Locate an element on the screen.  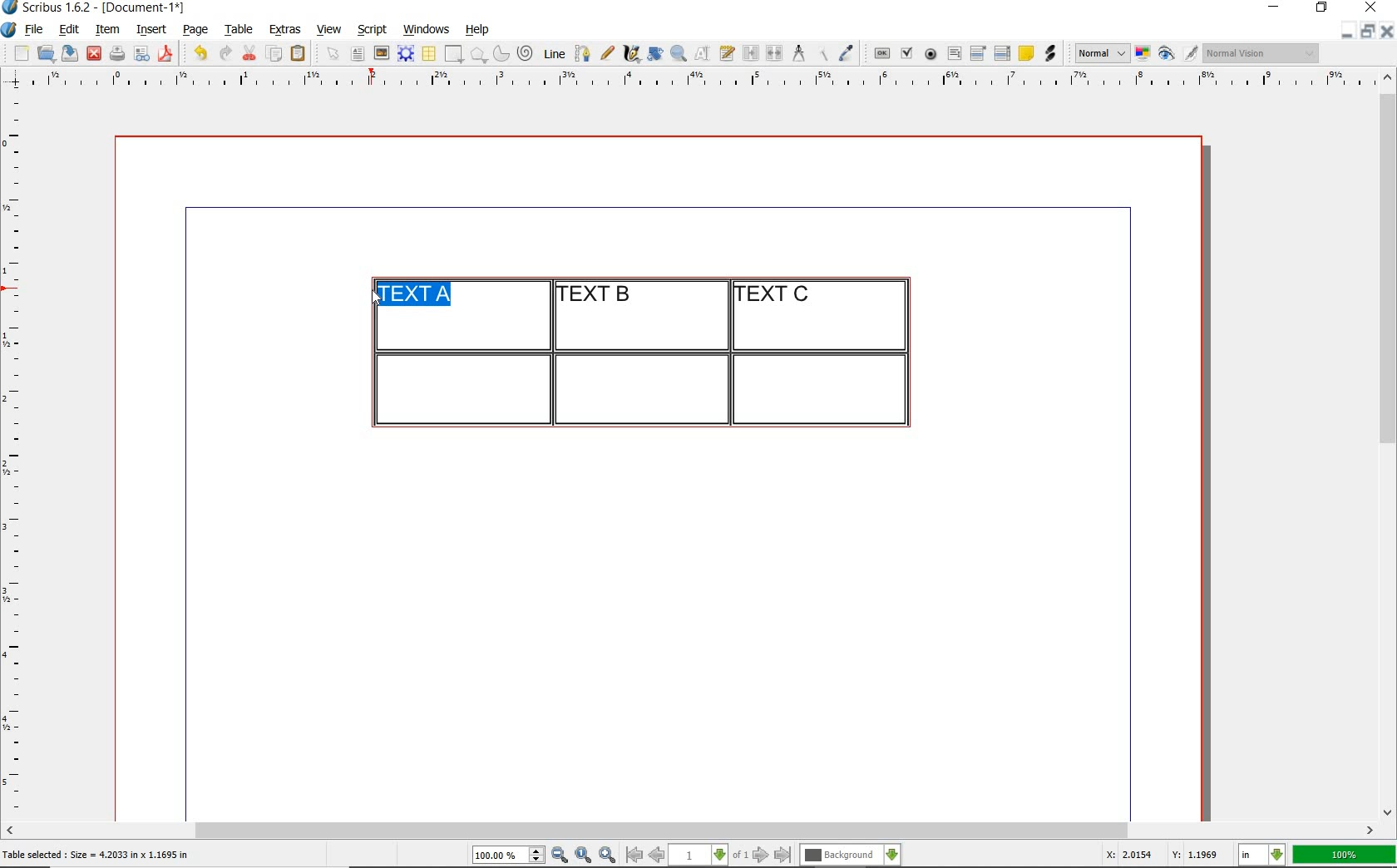
ruler is located at coordinates (709, 81).